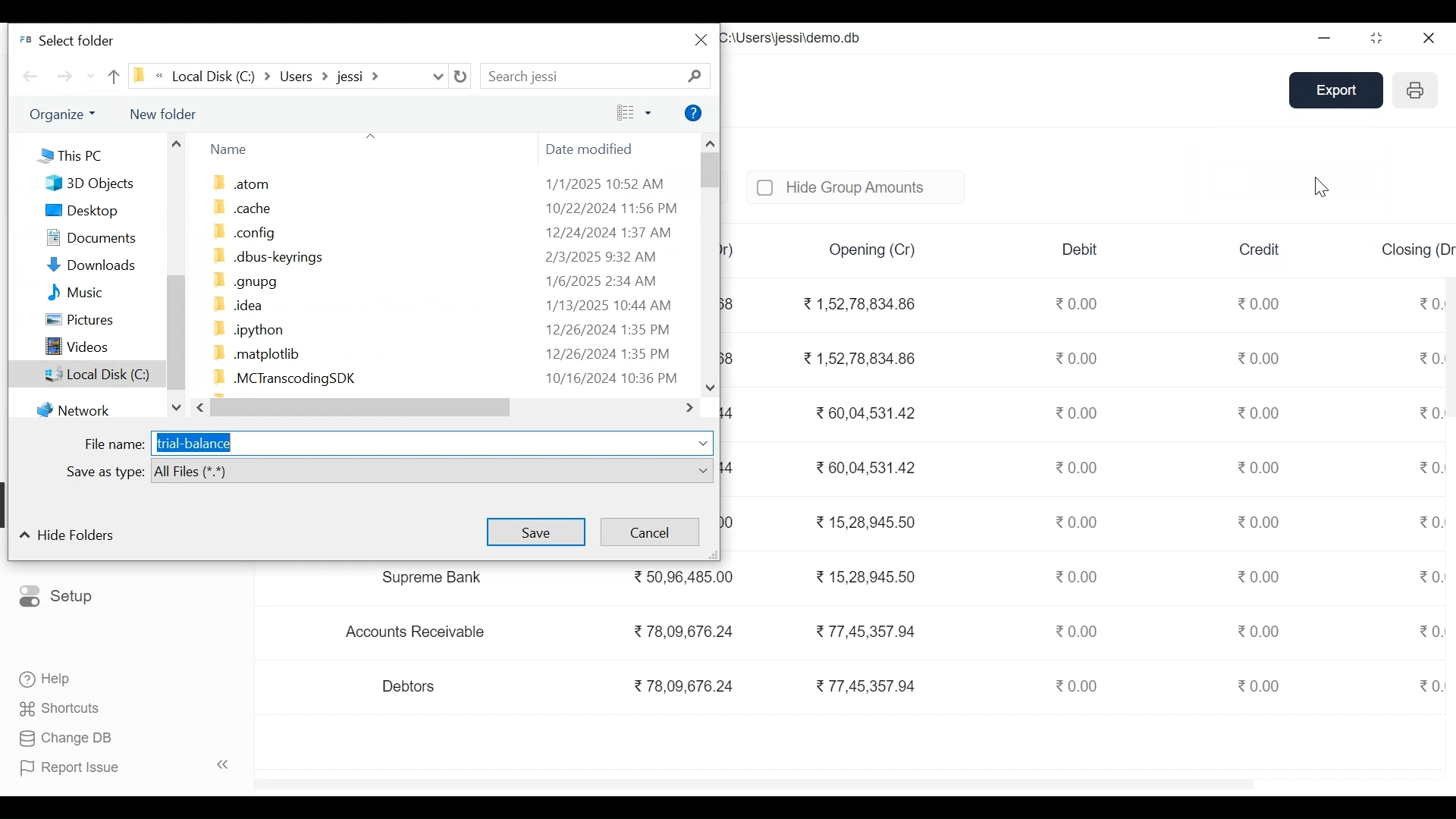 The height and width of the screenshot is (819, 1456). What do you see at coordinates (861, 411) in the screenshot?
I see `60,04,531.42` at bounding box center [861, 411].